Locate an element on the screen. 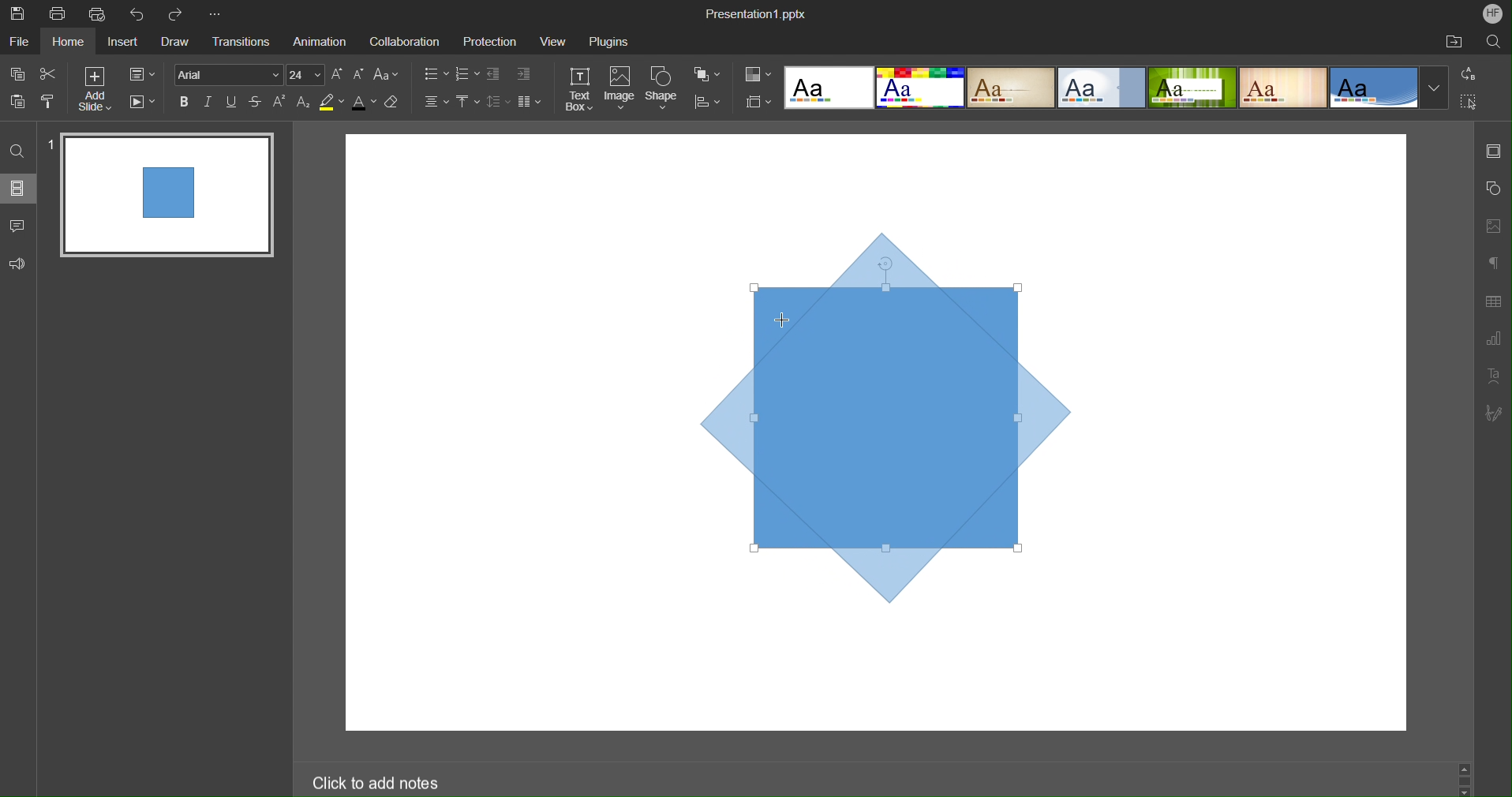 The height and width of the screenshot is (797, 1512). Paste is located at coordinates (16, 102).